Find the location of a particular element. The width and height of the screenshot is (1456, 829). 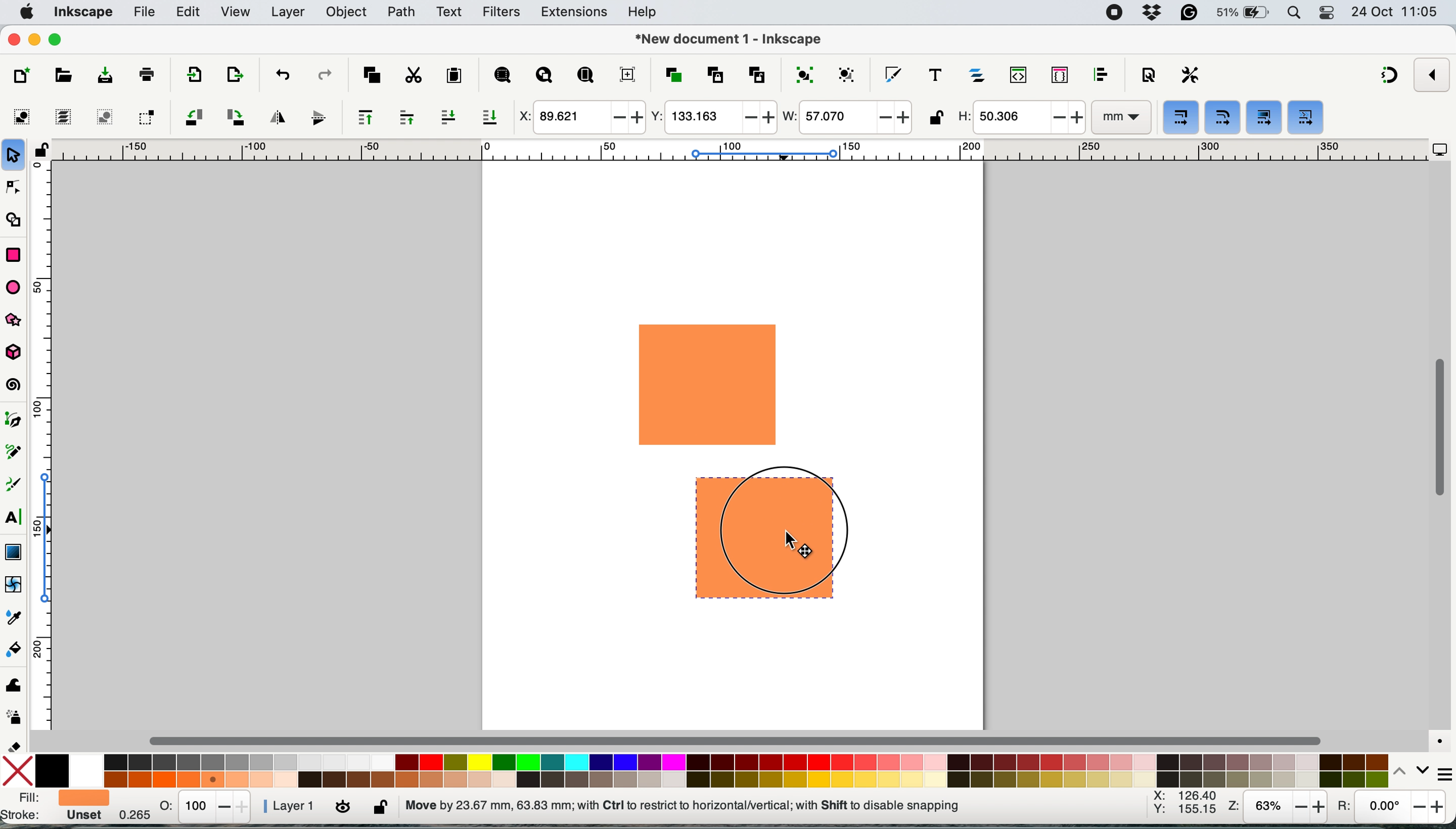

when scaling rectangles scale the radii of rounded corners is located at coordinates (1221, 118).